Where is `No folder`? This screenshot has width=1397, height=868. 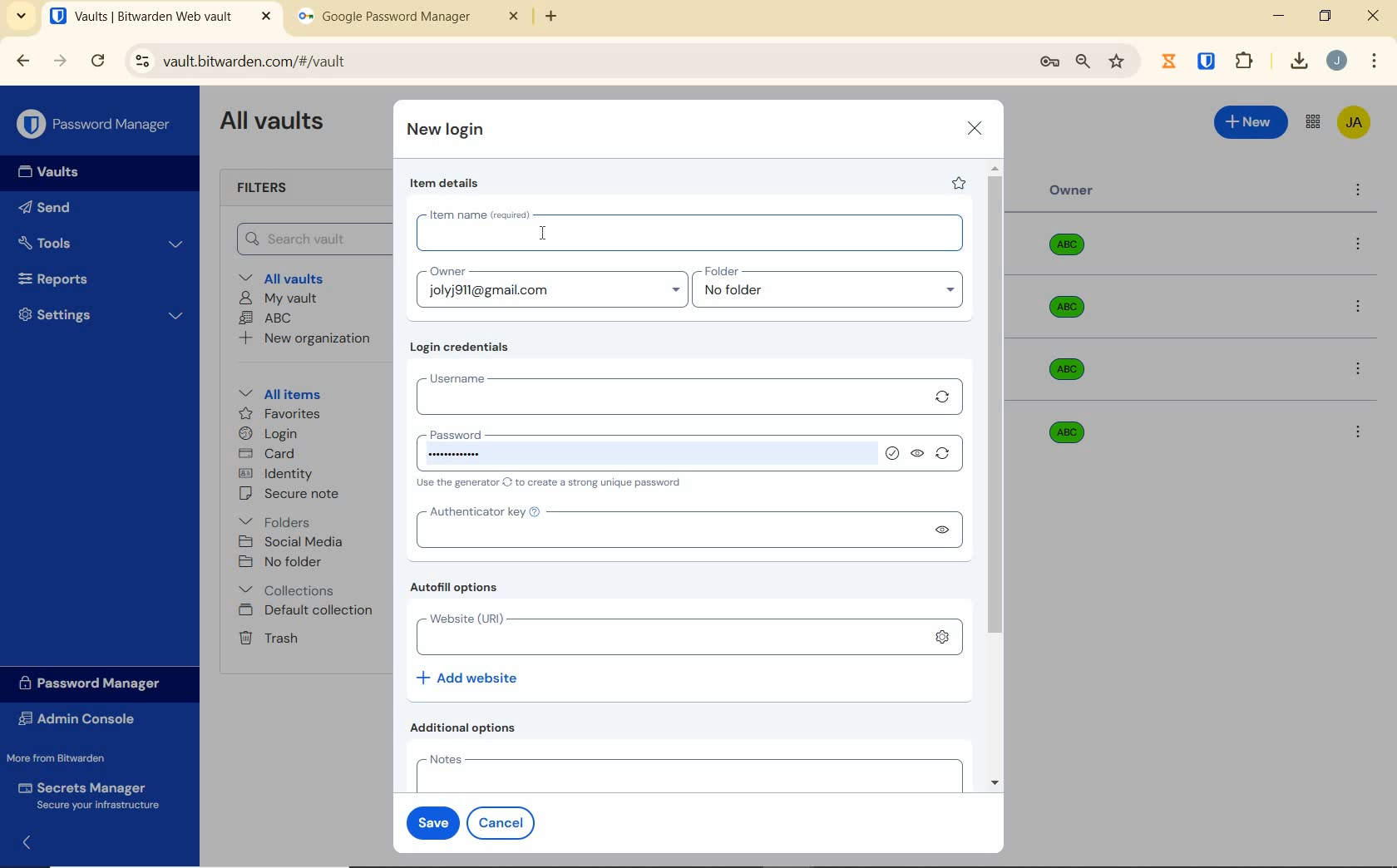 No folder is located at coordinates (283, 563).